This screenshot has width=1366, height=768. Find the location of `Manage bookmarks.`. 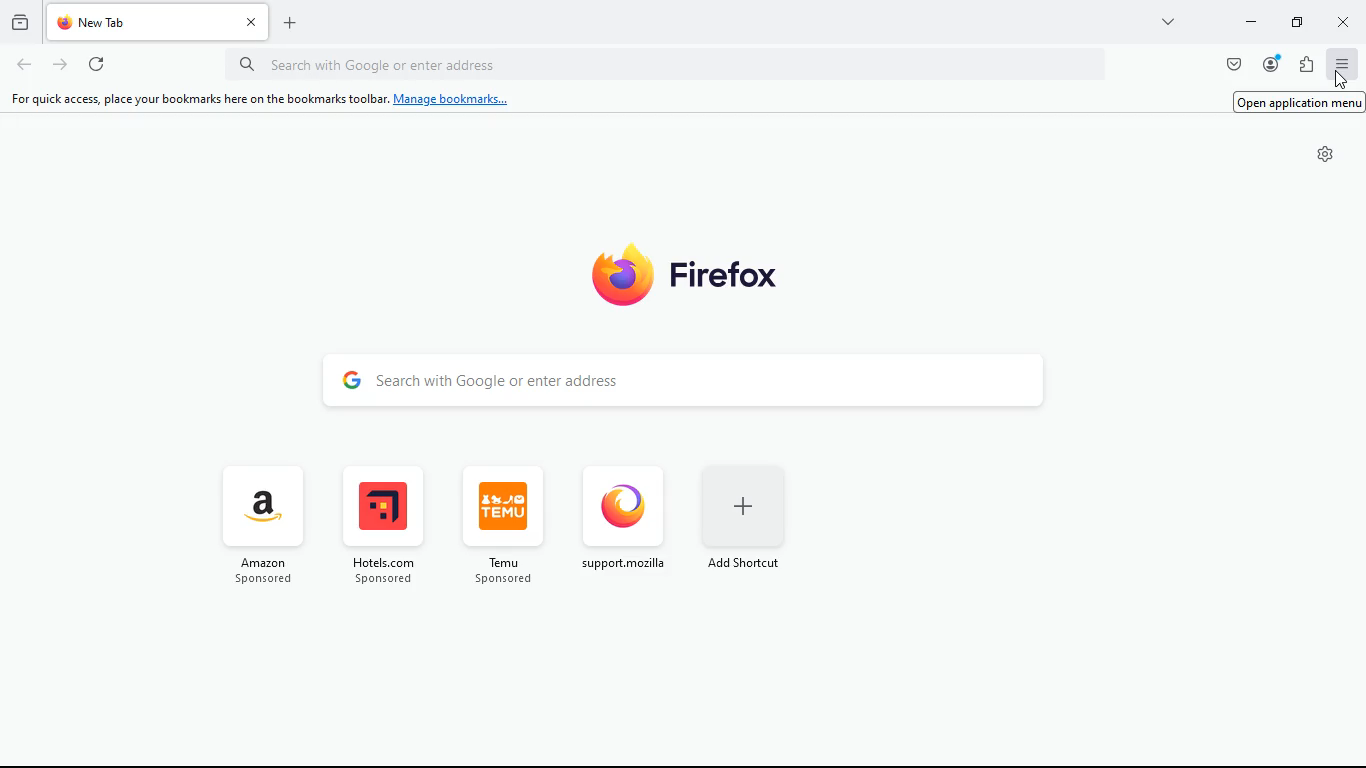

Manage bookmarks. is located at coordinates (456, 99).